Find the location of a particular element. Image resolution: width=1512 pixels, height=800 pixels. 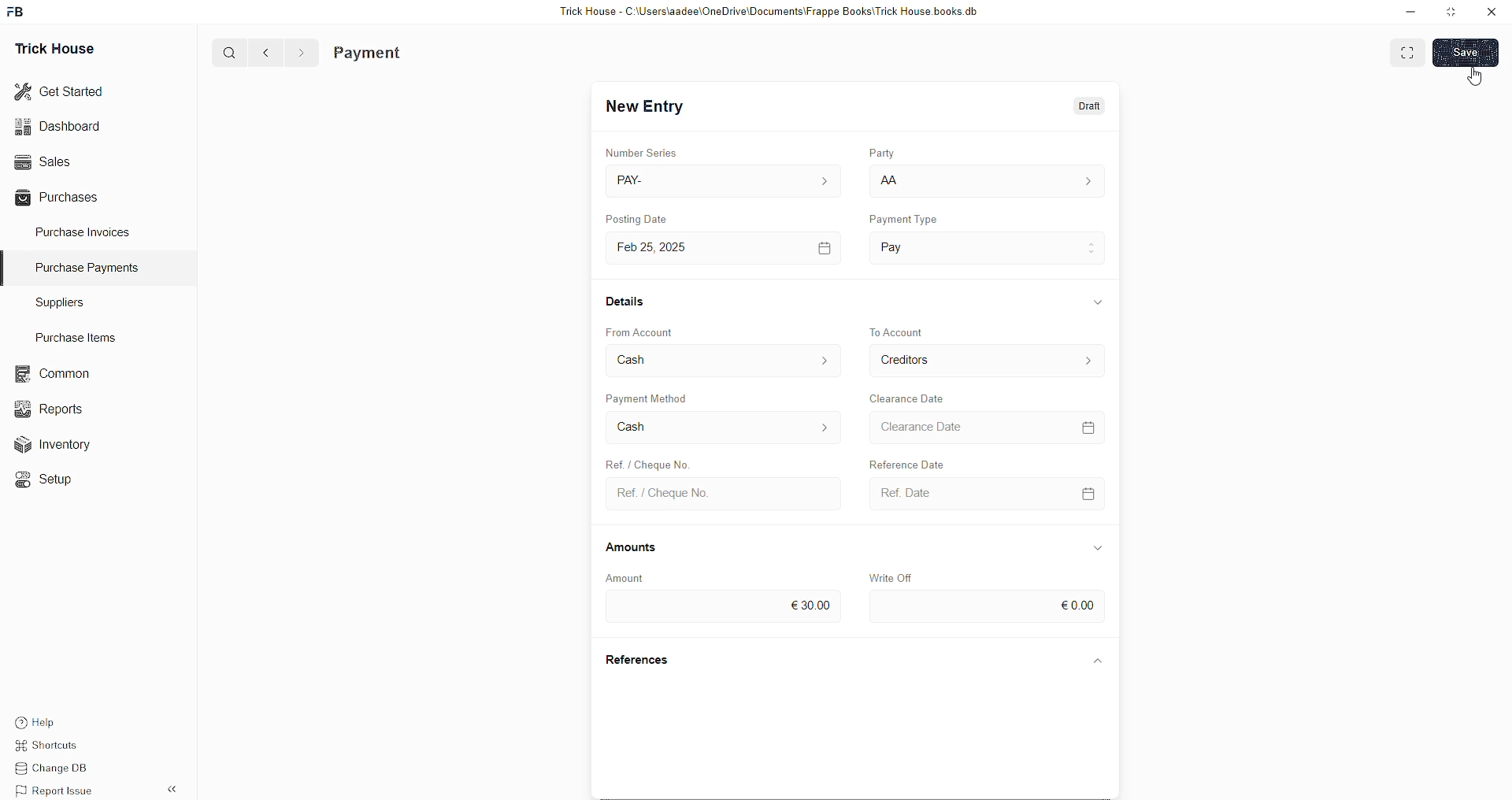

Posting Date is located at coordinates (642, 222).